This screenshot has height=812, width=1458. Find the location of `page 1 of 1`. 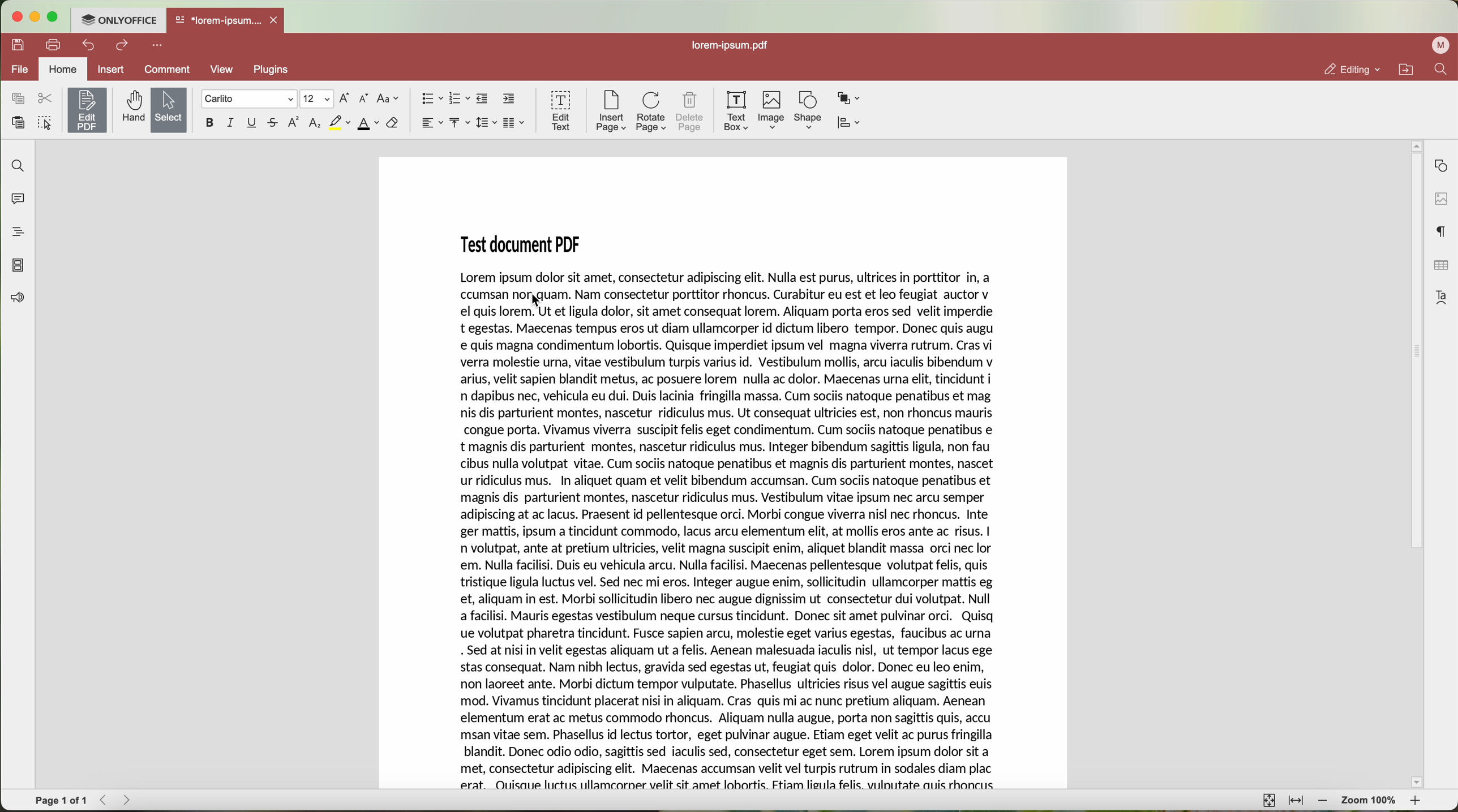

page 1 of 1 is located at coordinates (60, 802).